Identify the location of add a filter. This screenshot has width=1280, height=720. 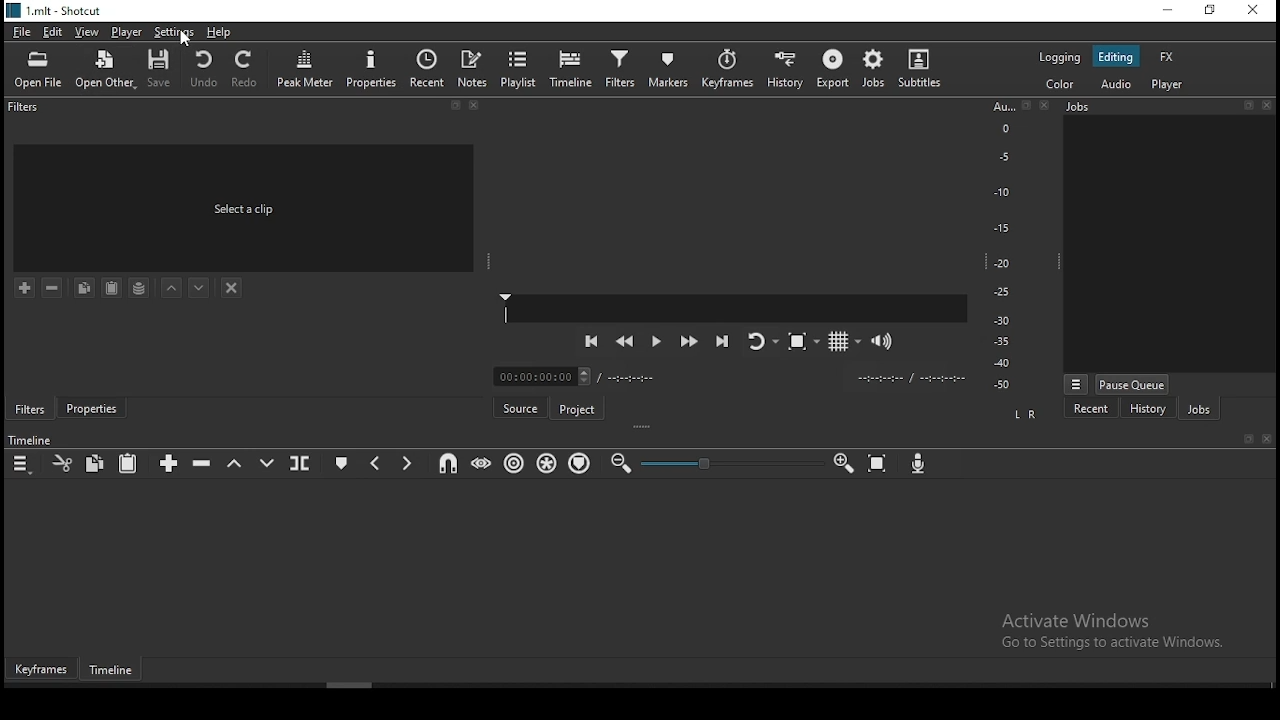
(26, 289).